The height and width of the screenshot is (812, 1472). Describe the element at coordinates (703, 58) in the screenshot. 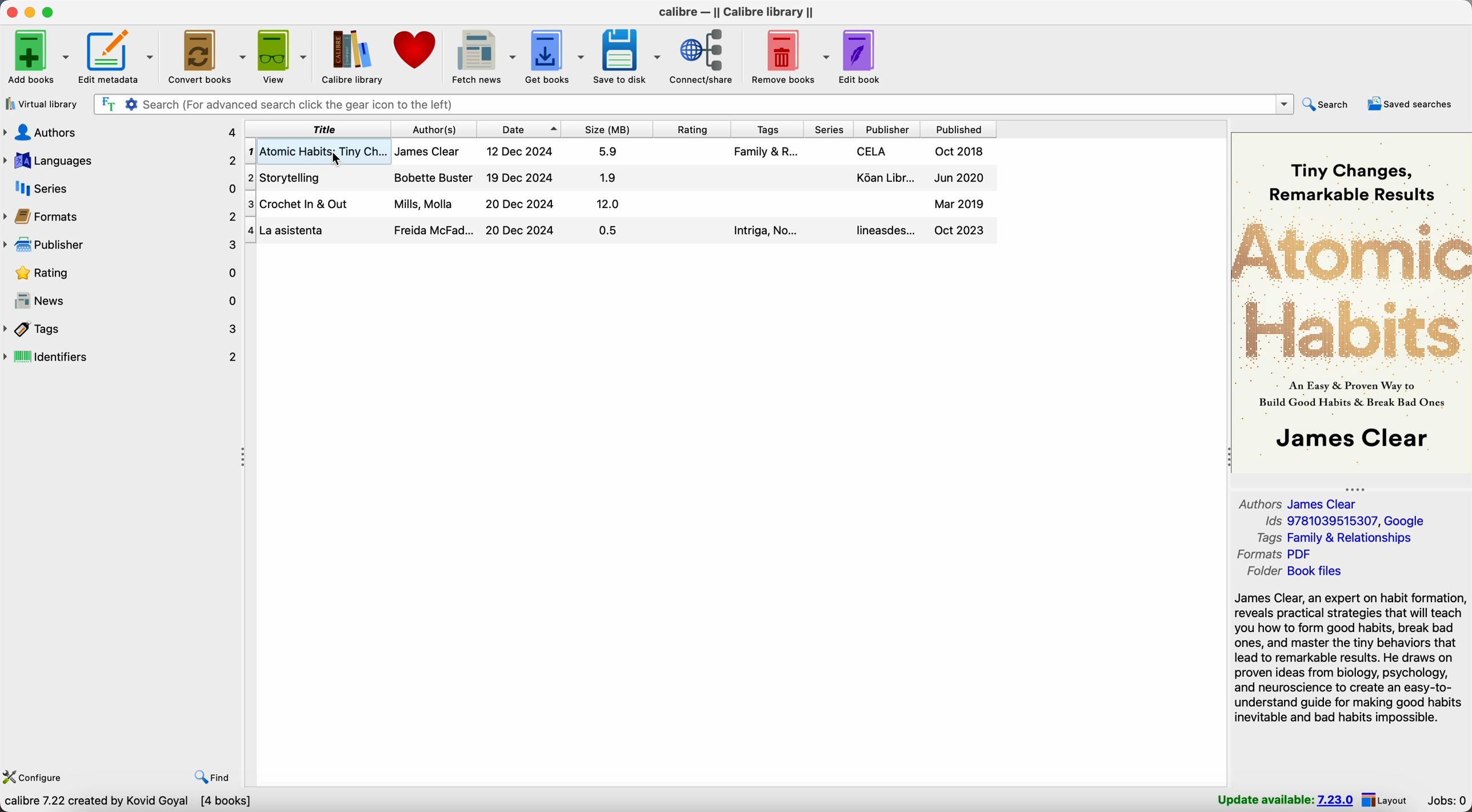

I see `connect/share` at that location.